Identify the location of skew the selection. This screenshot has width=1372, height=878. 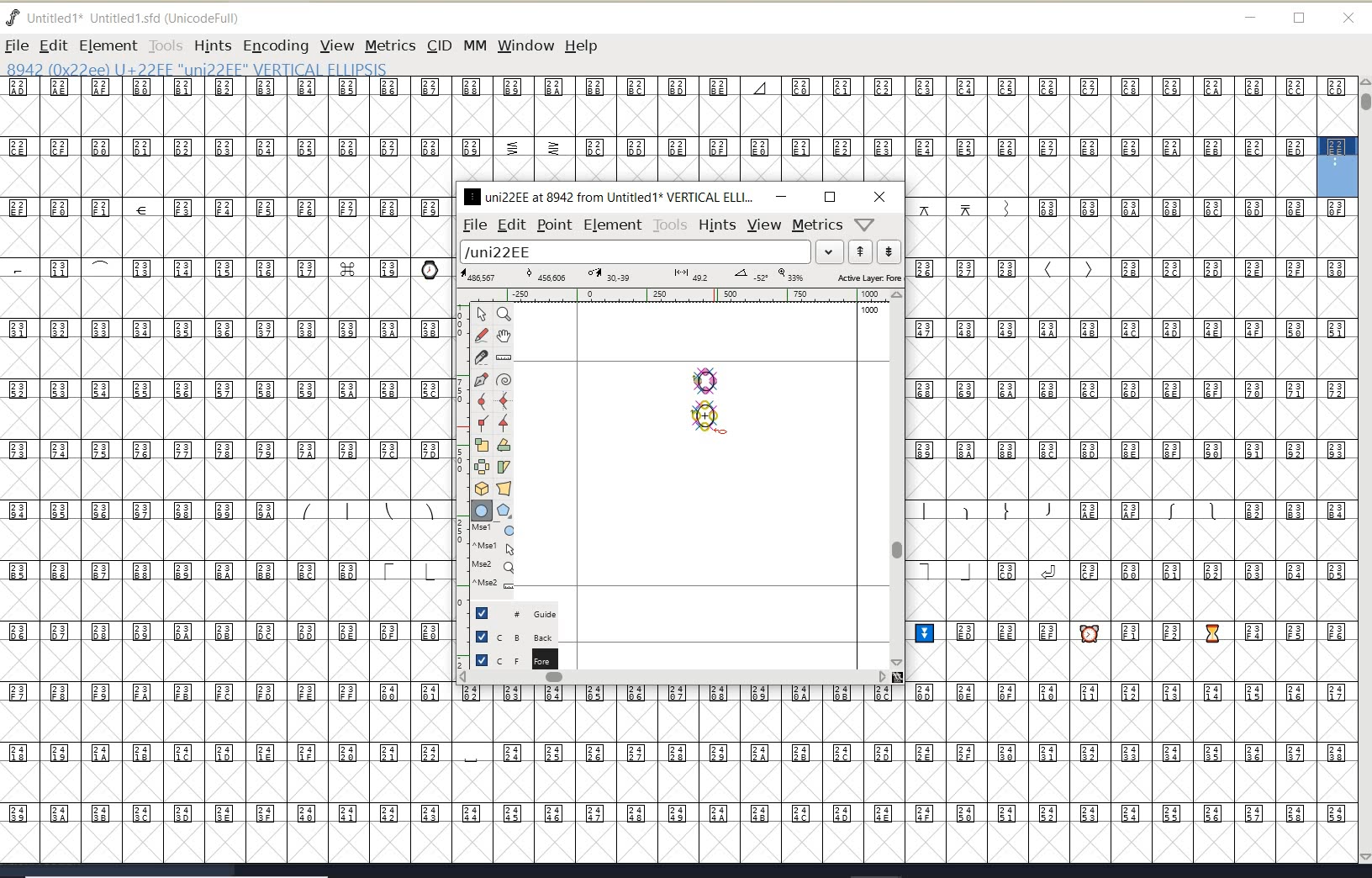
(503, 468).